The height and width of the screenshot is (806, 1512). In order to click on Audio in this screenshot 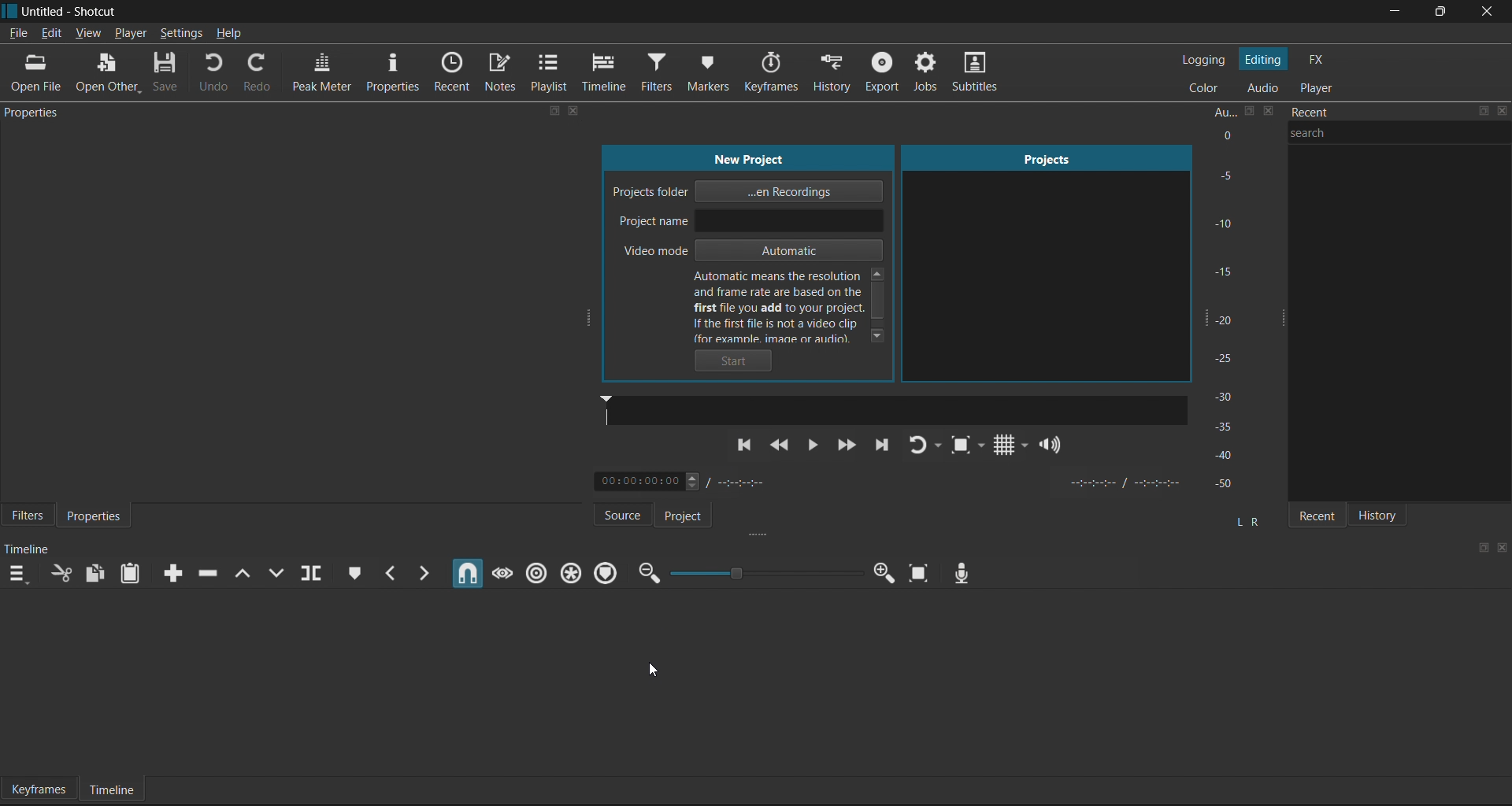, I will do `click(1262, 88)`.